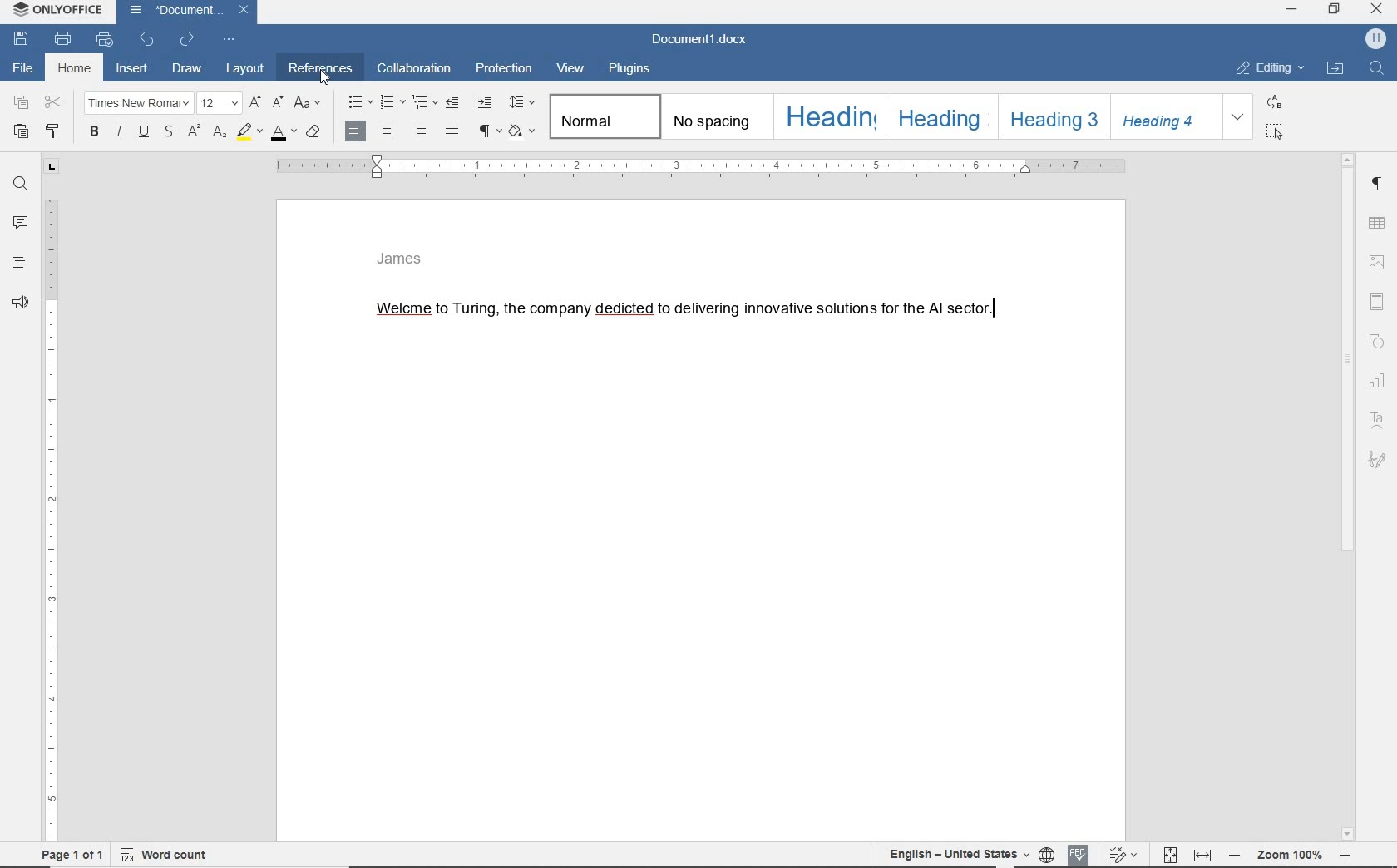 This screenshot has width=1397, height=868. What do you see at coordinates (489, 131) in the screenshot?
I see `nonprinting characters` at bounding box center [489, 131].